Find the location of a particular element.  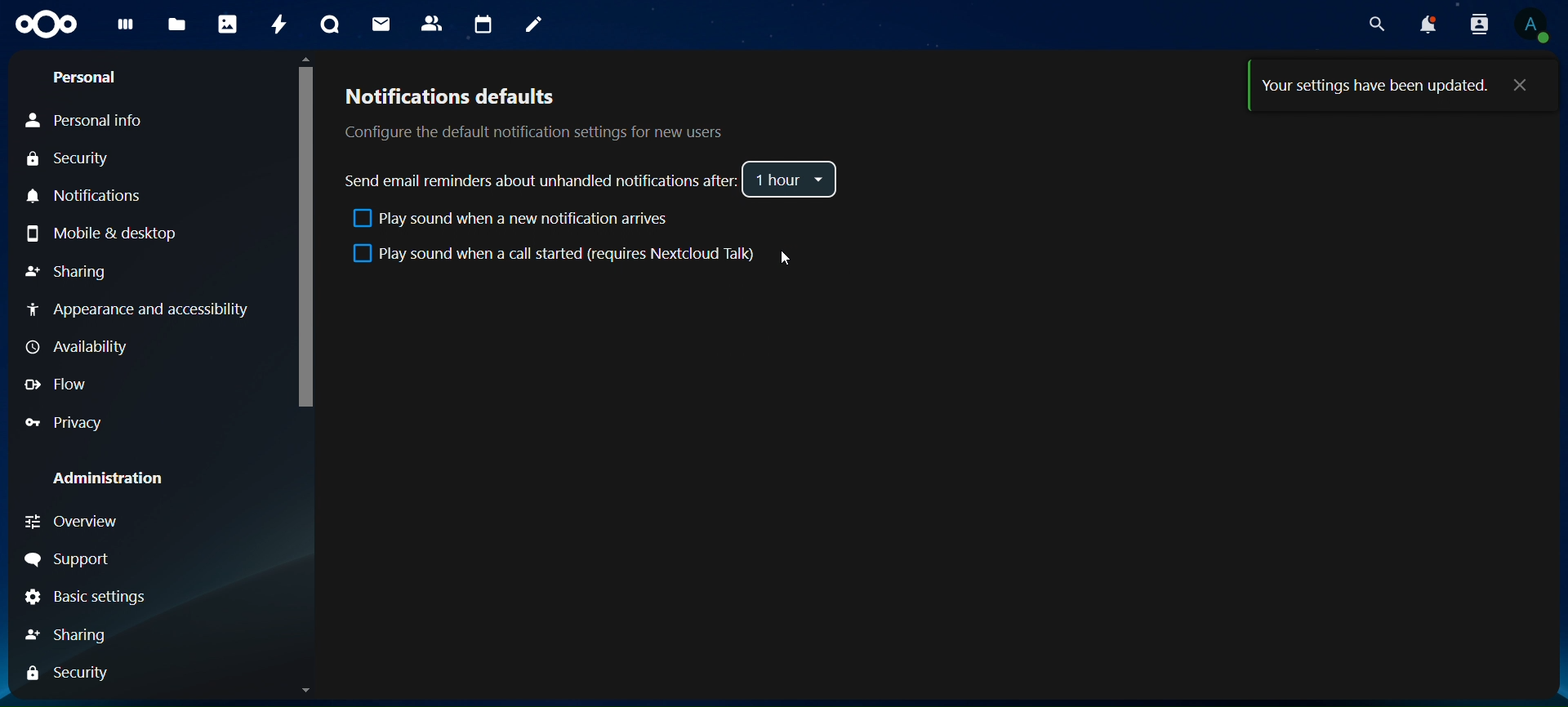

notes is located at coordinates (534, 25).